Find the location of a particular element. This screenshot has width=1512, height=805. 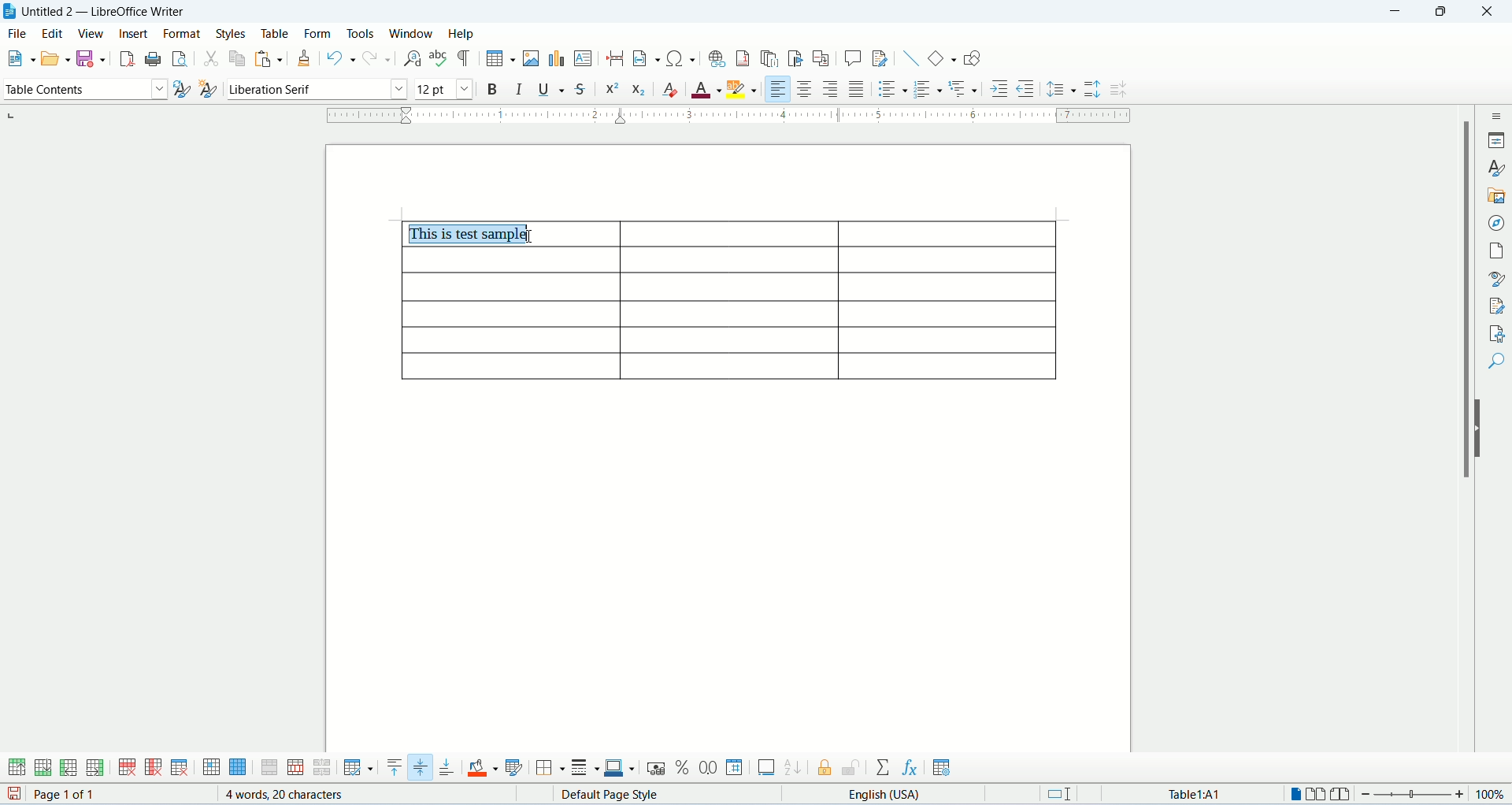

properties is located at coordinates (1498, 141).